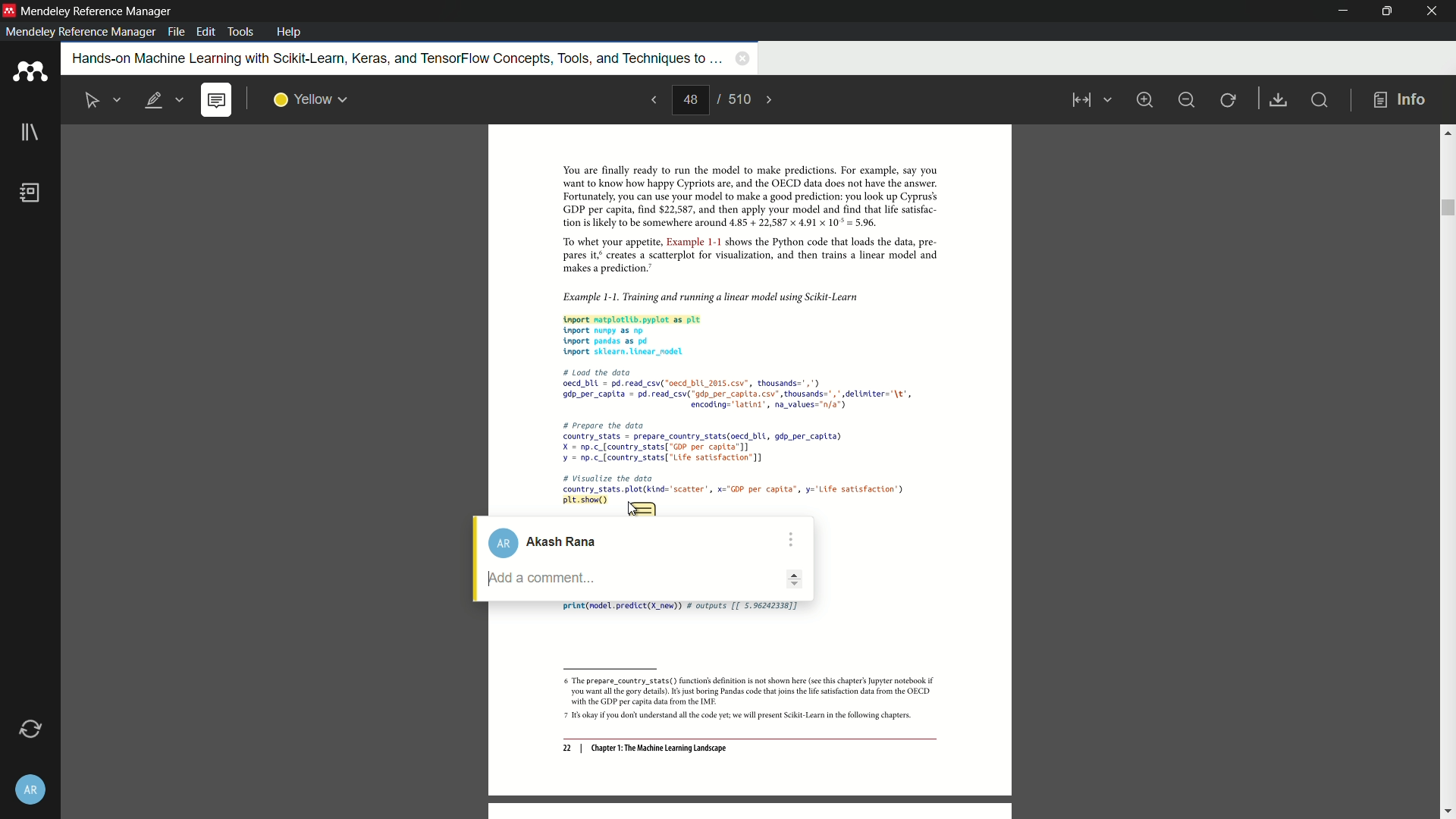 The width and height of the screenshot is (1456, 819). Describe the element at coordinates (30, 133) in the screenshot. I see `library` at that location.